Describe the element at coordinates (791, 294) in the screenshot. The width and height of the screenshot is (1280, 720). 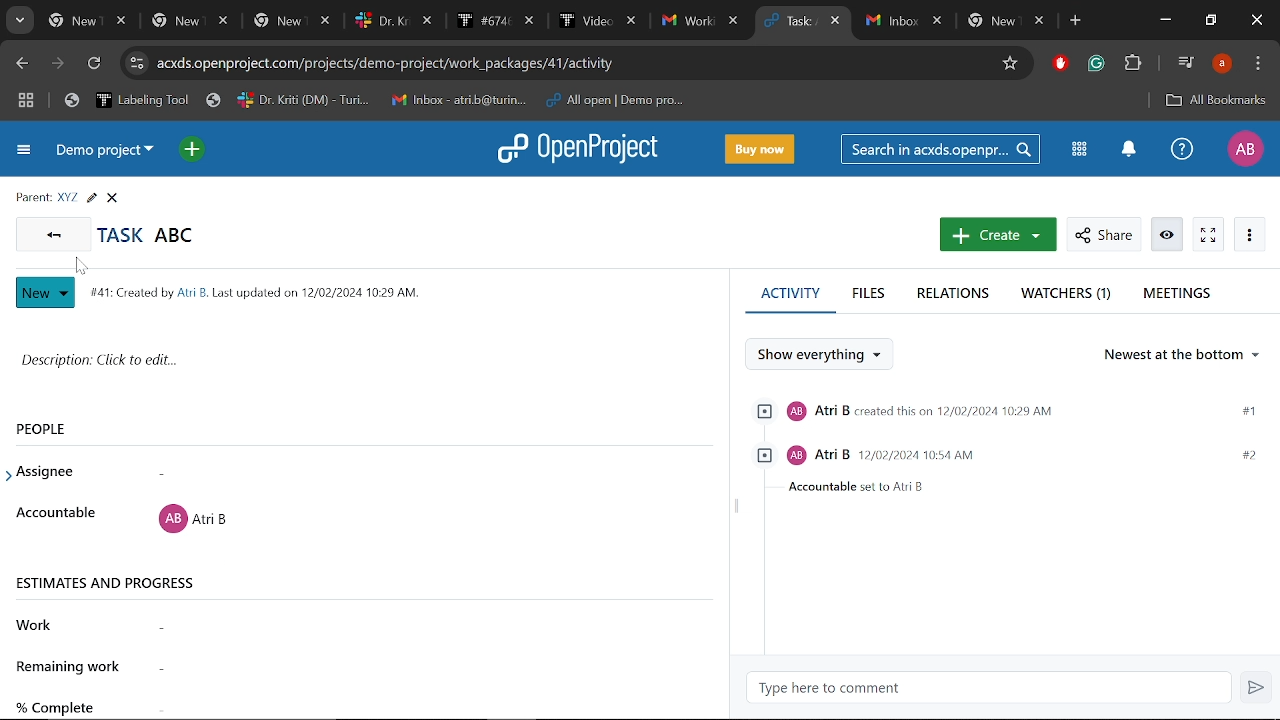
I see `Activity` at that location.